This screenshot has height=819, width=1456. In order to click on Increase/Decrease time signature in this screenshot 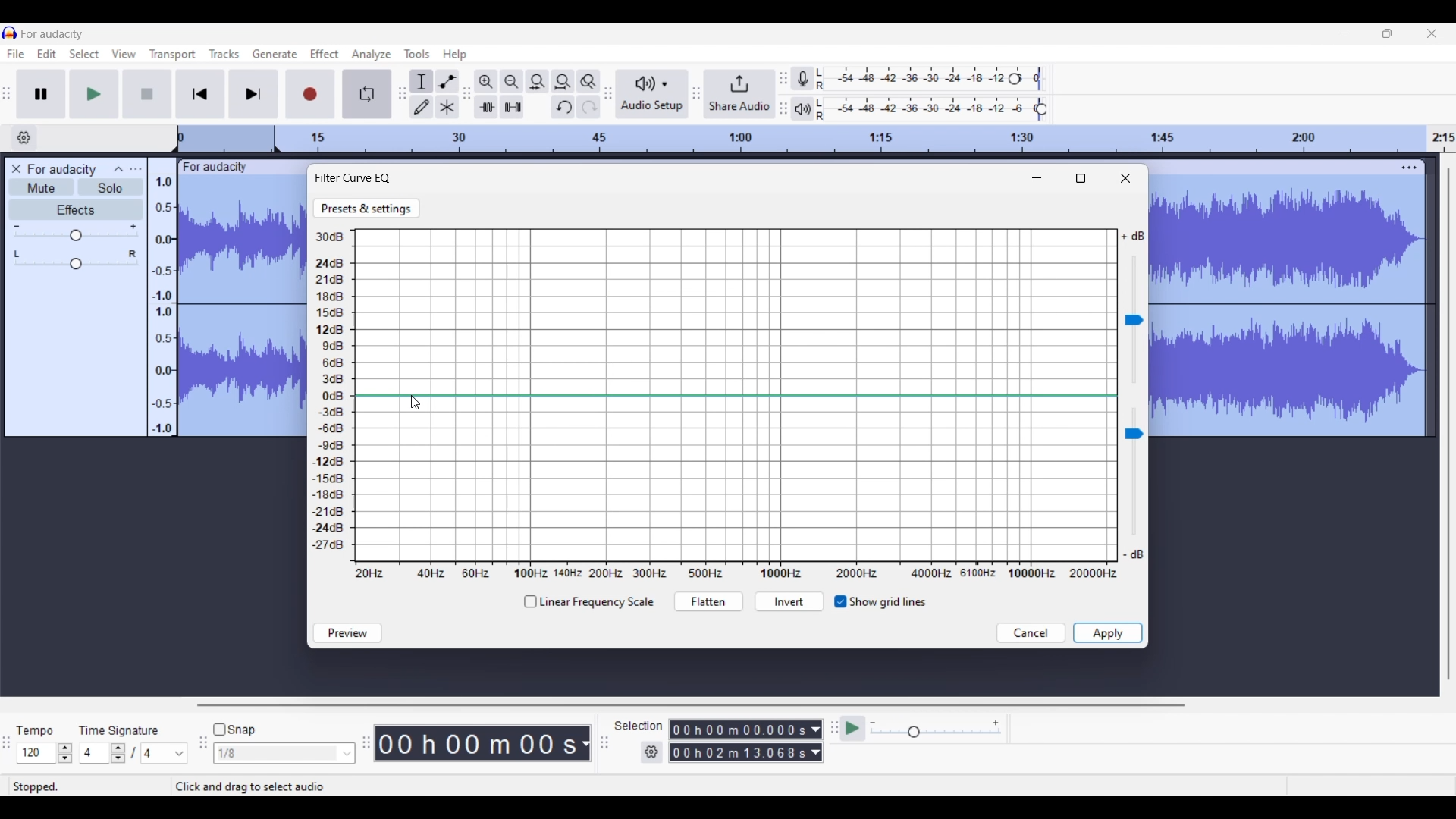, I will do `click(118, 753)`.